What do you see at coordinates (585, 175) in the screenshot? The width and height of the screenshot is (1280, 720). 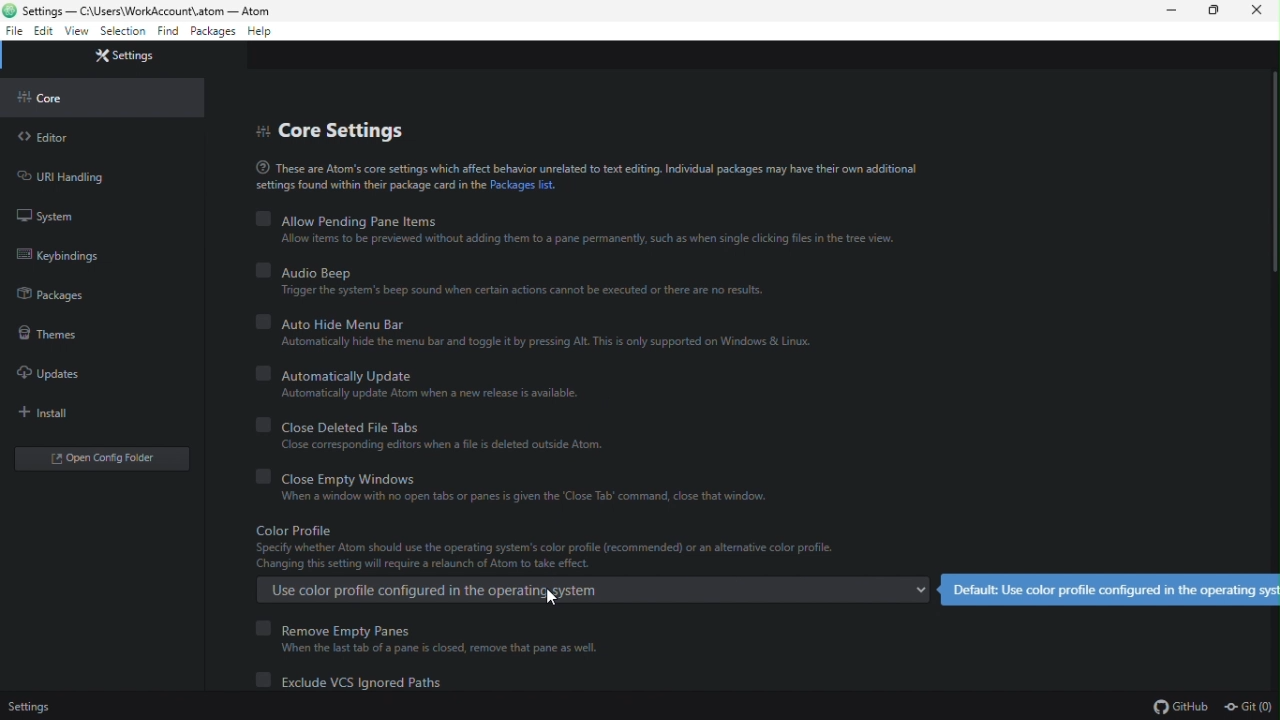 I see `text` at bounding box center [585, 175].